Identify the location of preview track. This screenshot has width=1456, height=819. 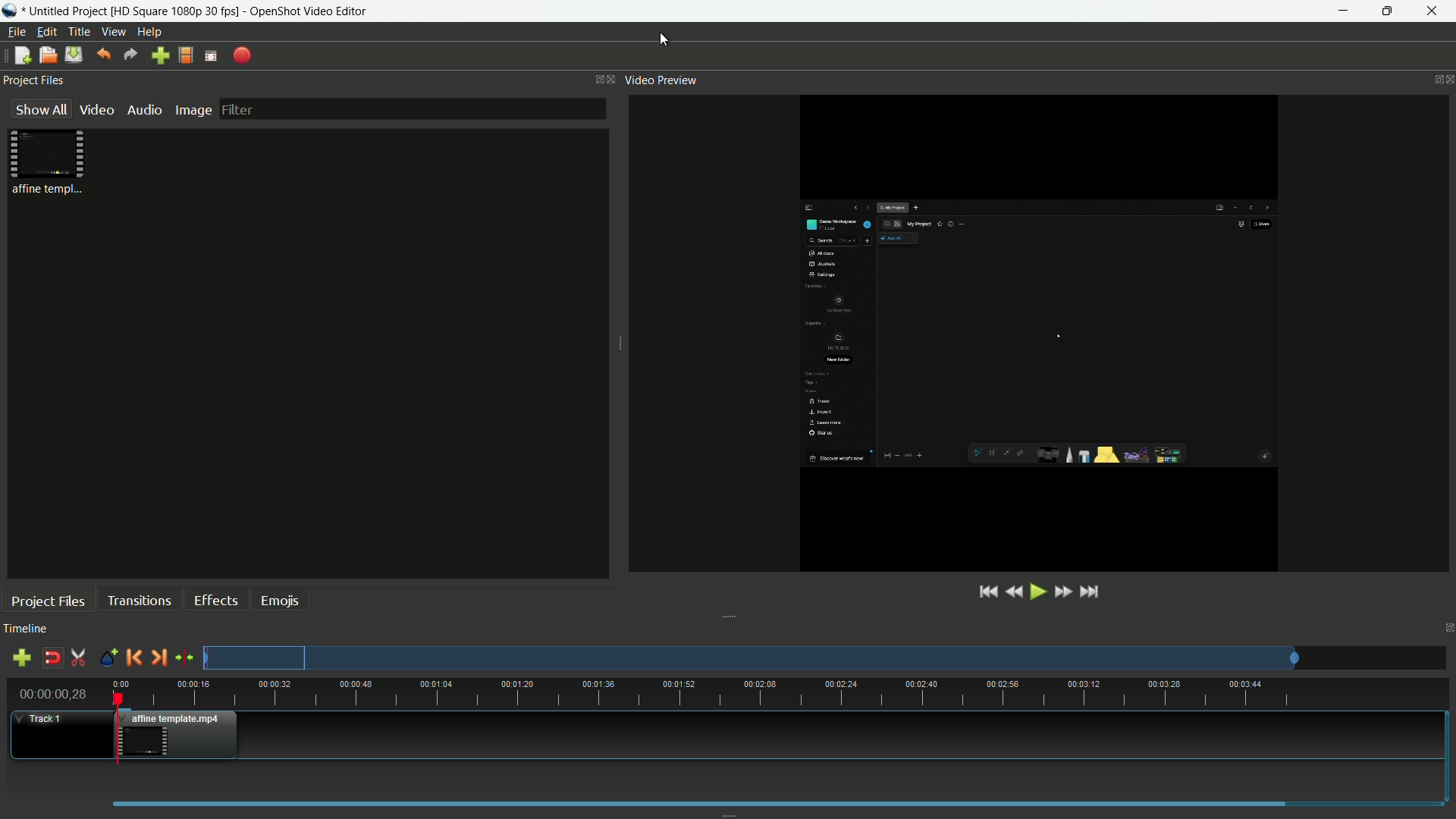
(750, 657).